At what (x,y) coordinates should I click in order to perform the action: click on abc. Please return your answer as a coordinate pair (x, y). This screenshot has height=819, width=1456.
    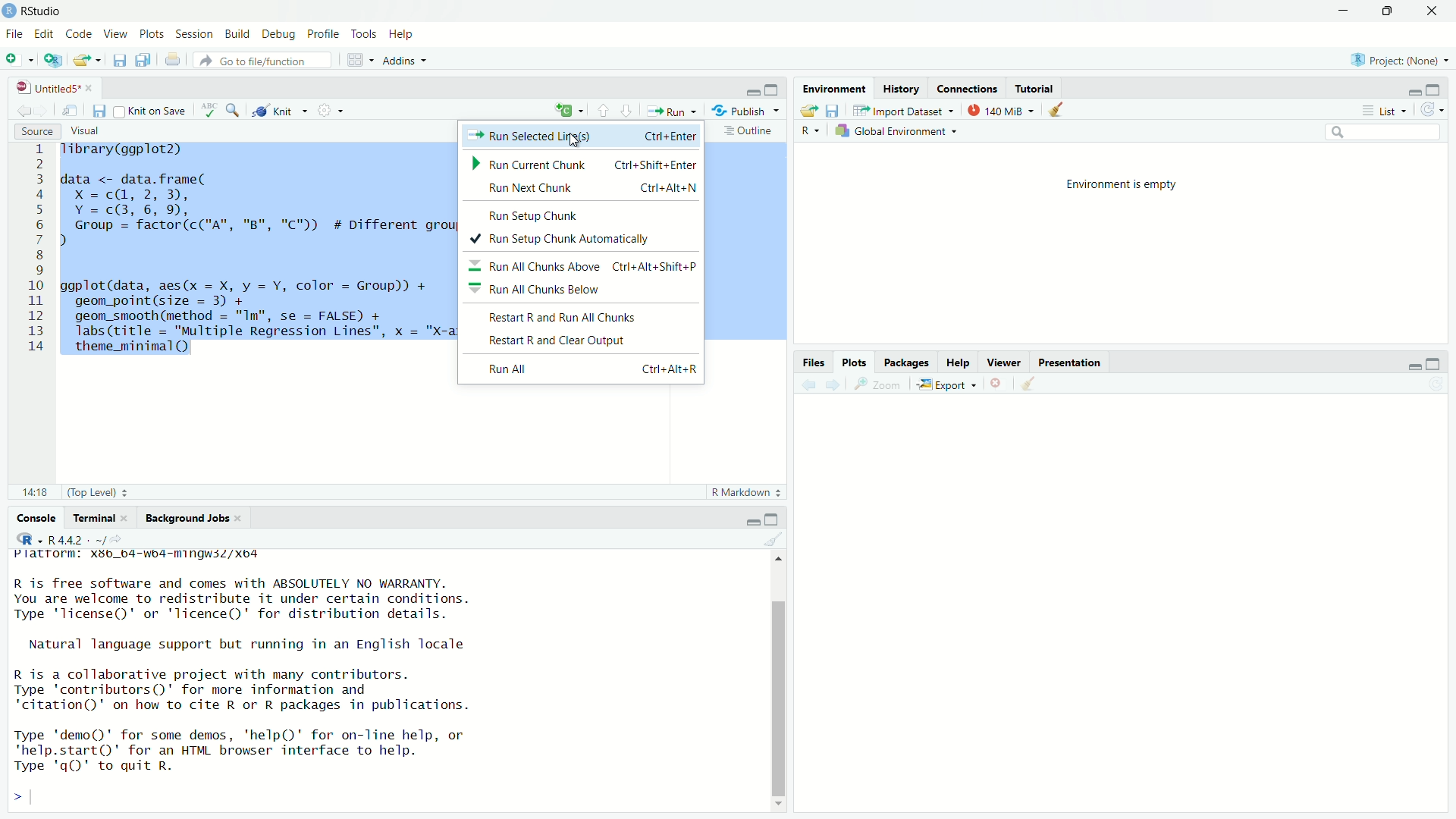
    Looking at the image, I should click on (206, 110).